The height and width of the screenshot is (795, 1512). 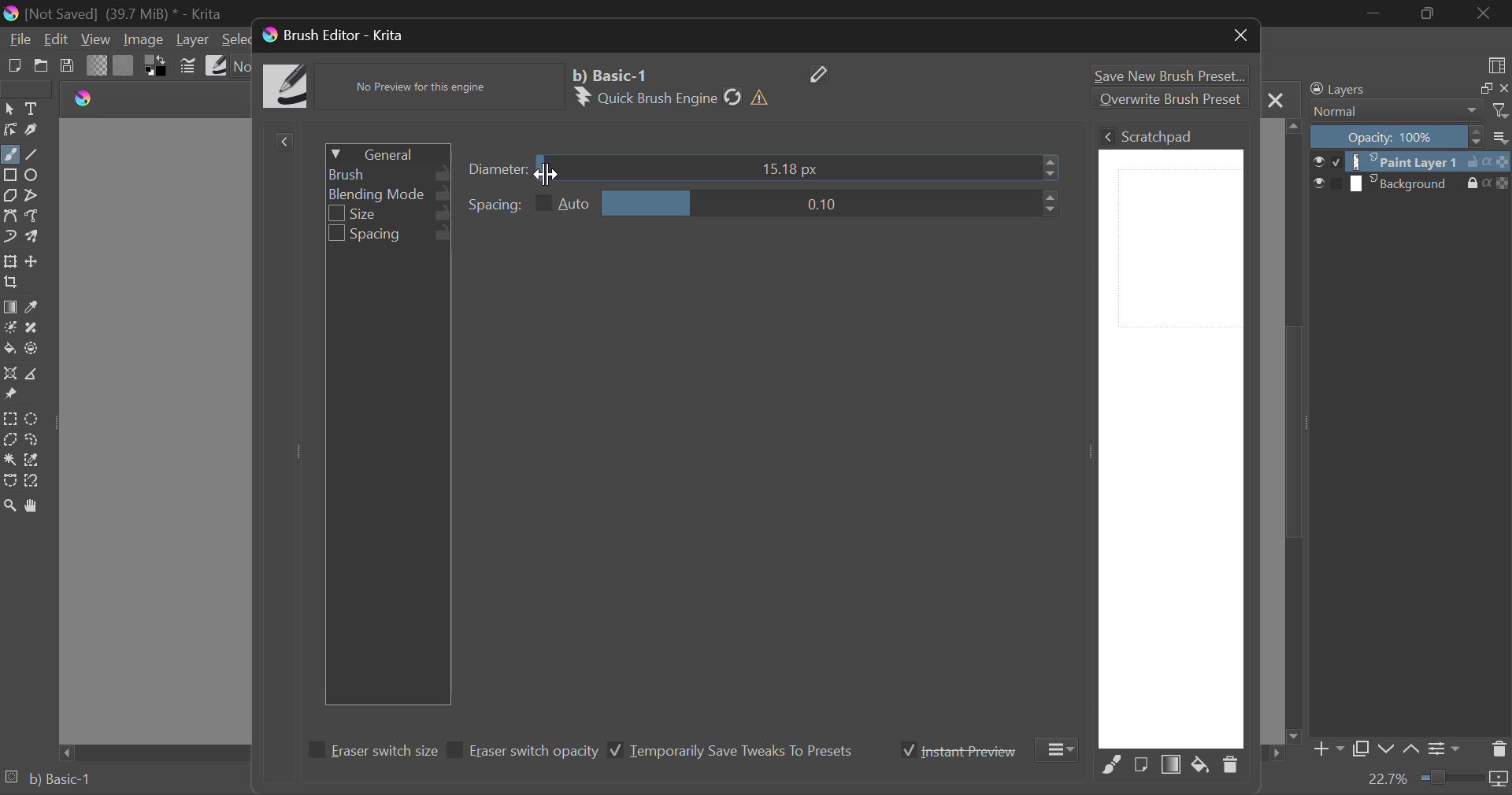 I want to click on Edit Shapes, so click(x=9, y=129).